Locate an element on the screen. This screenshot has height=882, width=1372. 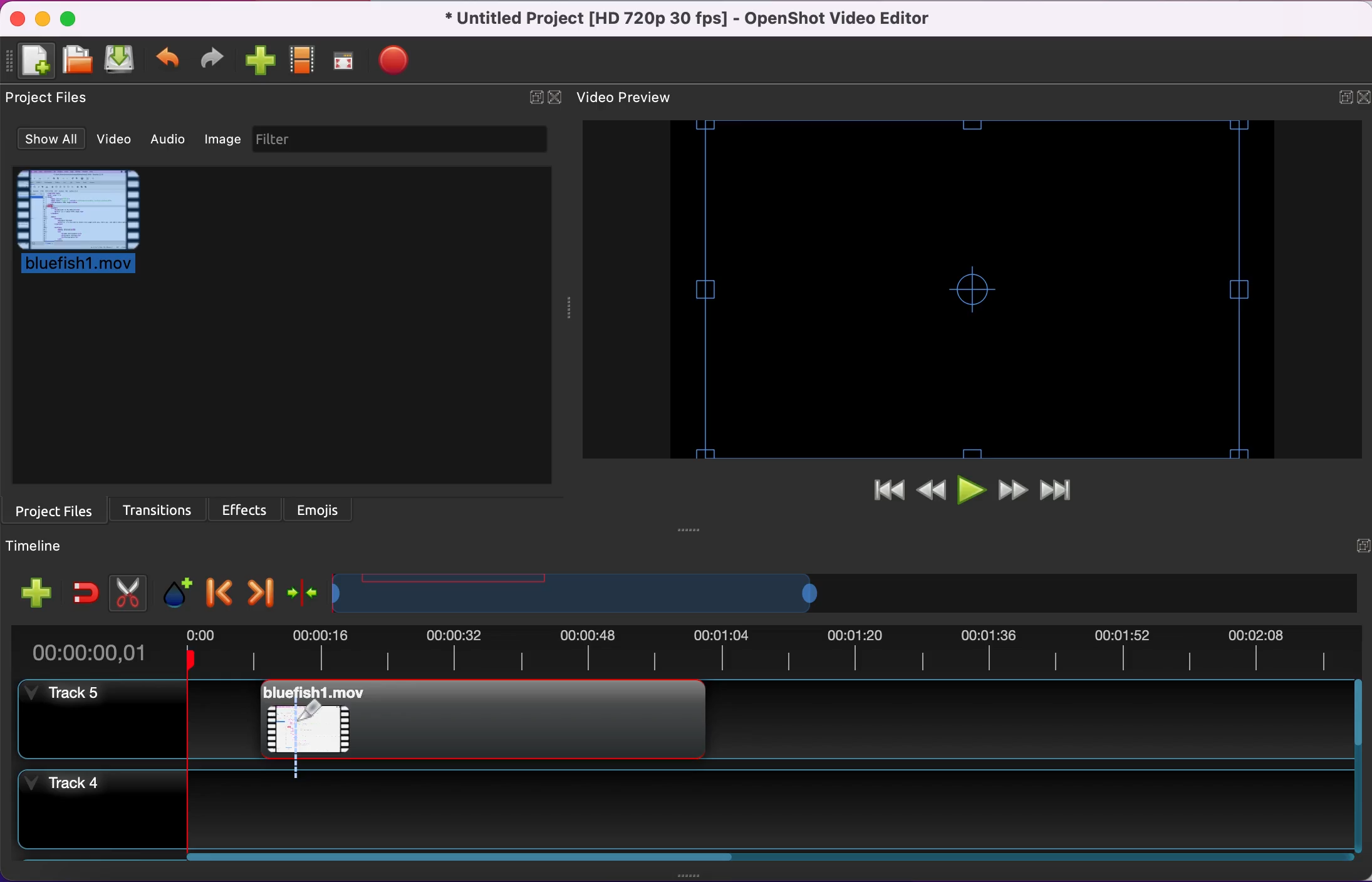
show all is located at coordinates (46, 140).